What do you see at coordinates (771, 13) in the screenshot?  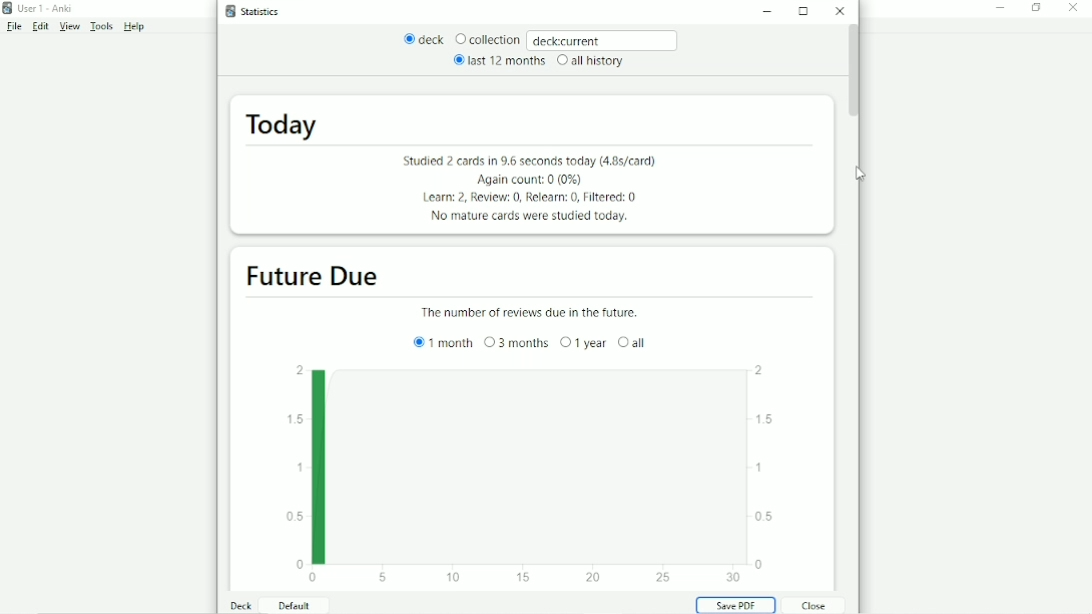 I see `Minimize` at bounding box center [771, 13].